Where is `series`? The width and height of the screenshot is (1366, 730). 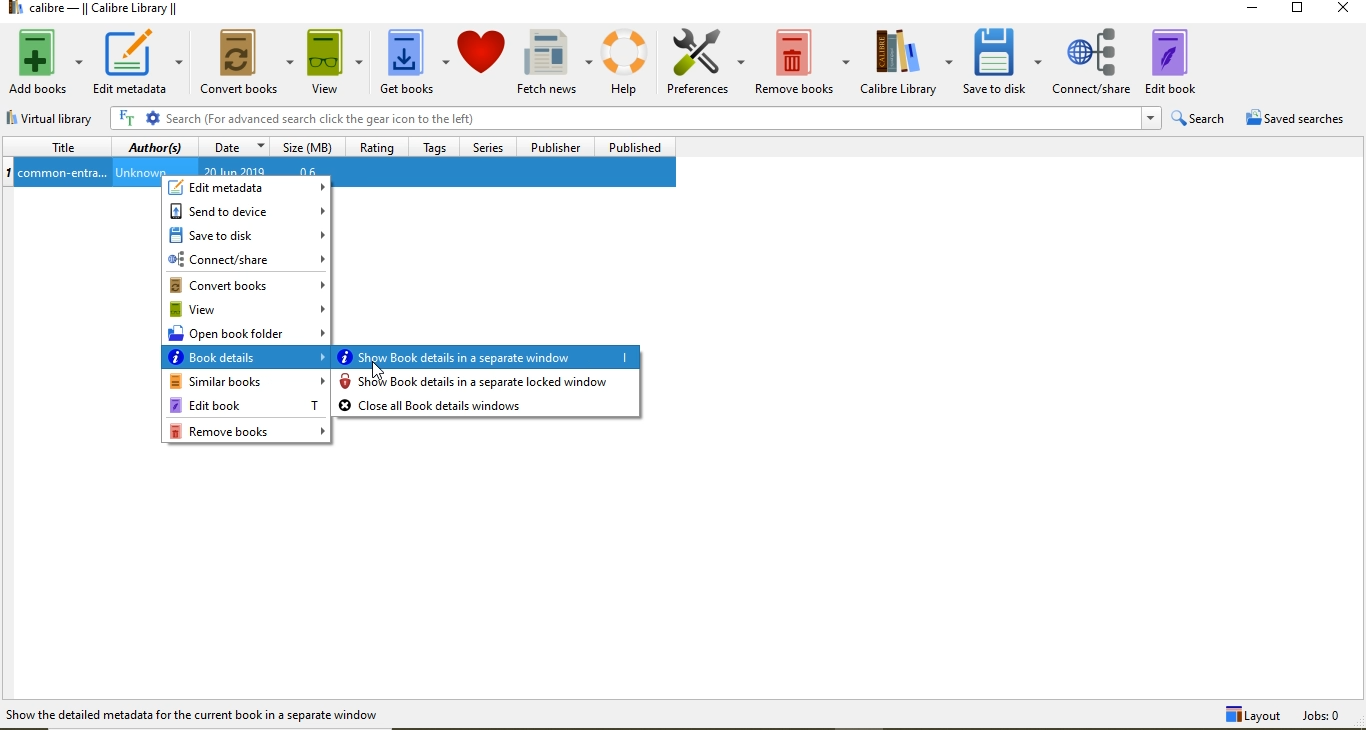 series is located at coordinates (490, 148).